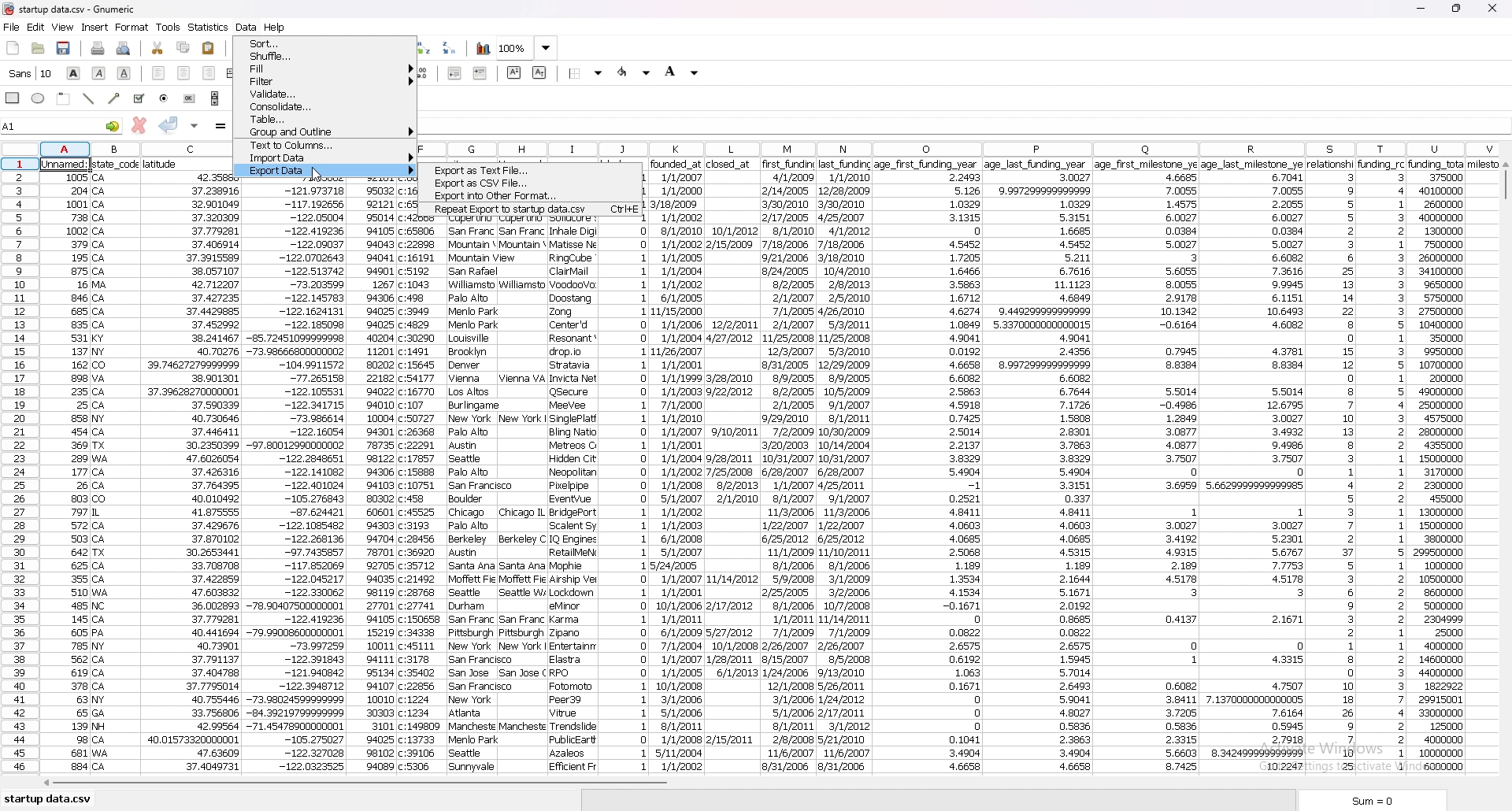 Image resolution: width=1512 pixels, height=811 pixels. I want to click on chart, so click(484, 49).